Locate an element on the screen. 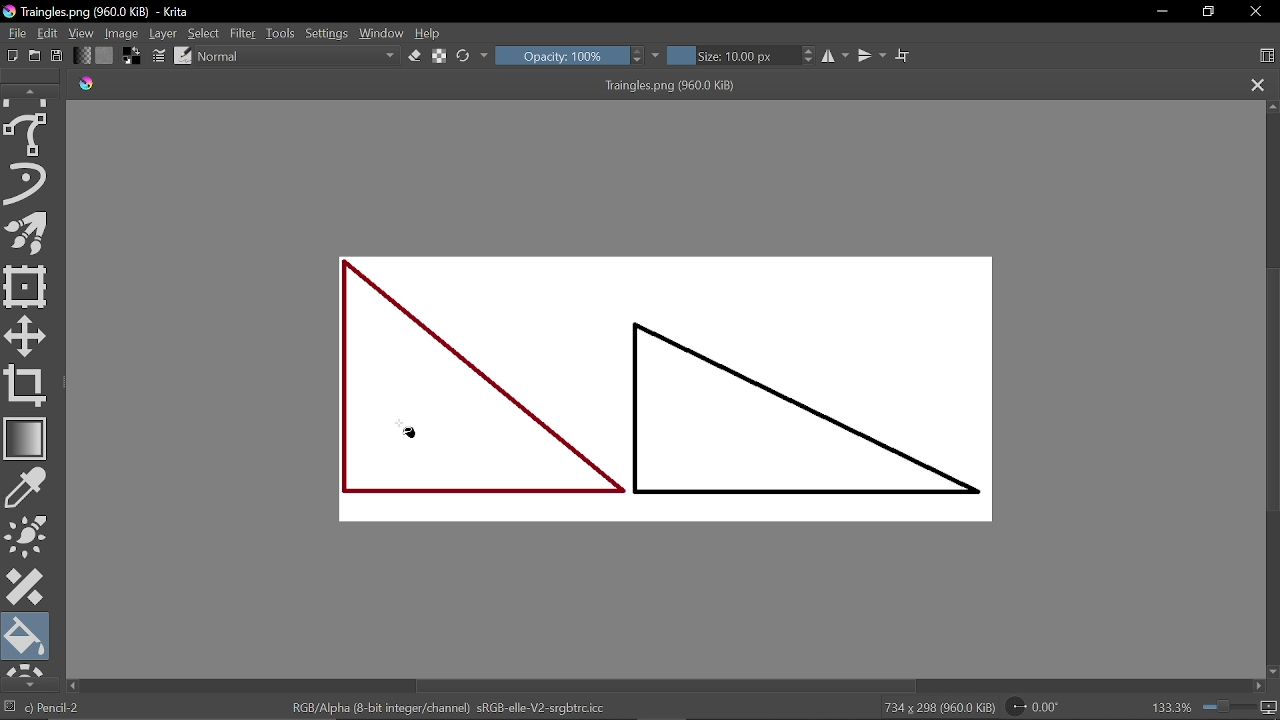  Current diagram is located at coordinates (674, 391).